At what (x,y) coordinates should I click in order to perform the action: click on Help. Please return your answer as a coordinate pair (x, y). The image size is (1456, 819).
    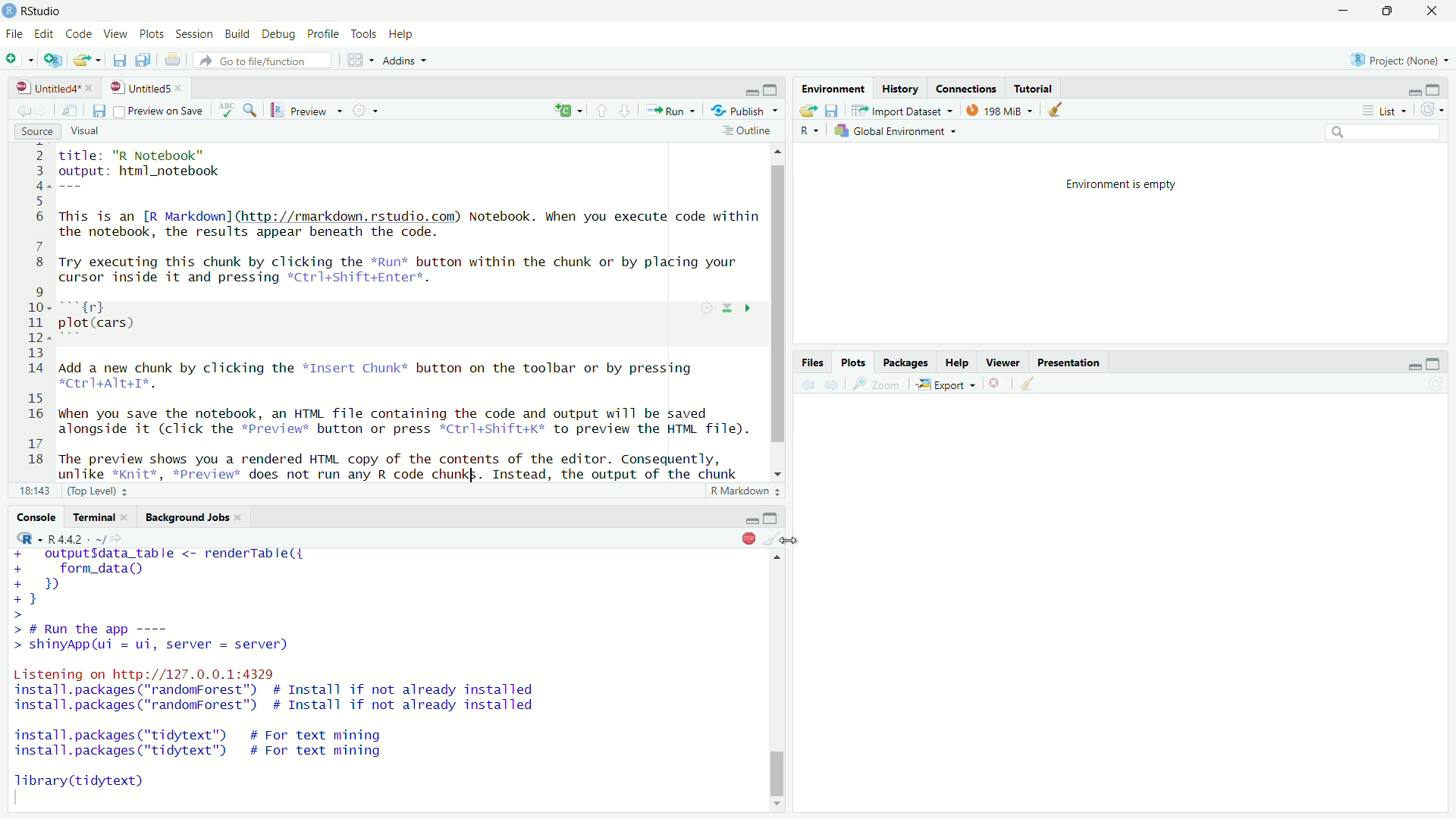
    Looking at the image, I should click on (403, 35).